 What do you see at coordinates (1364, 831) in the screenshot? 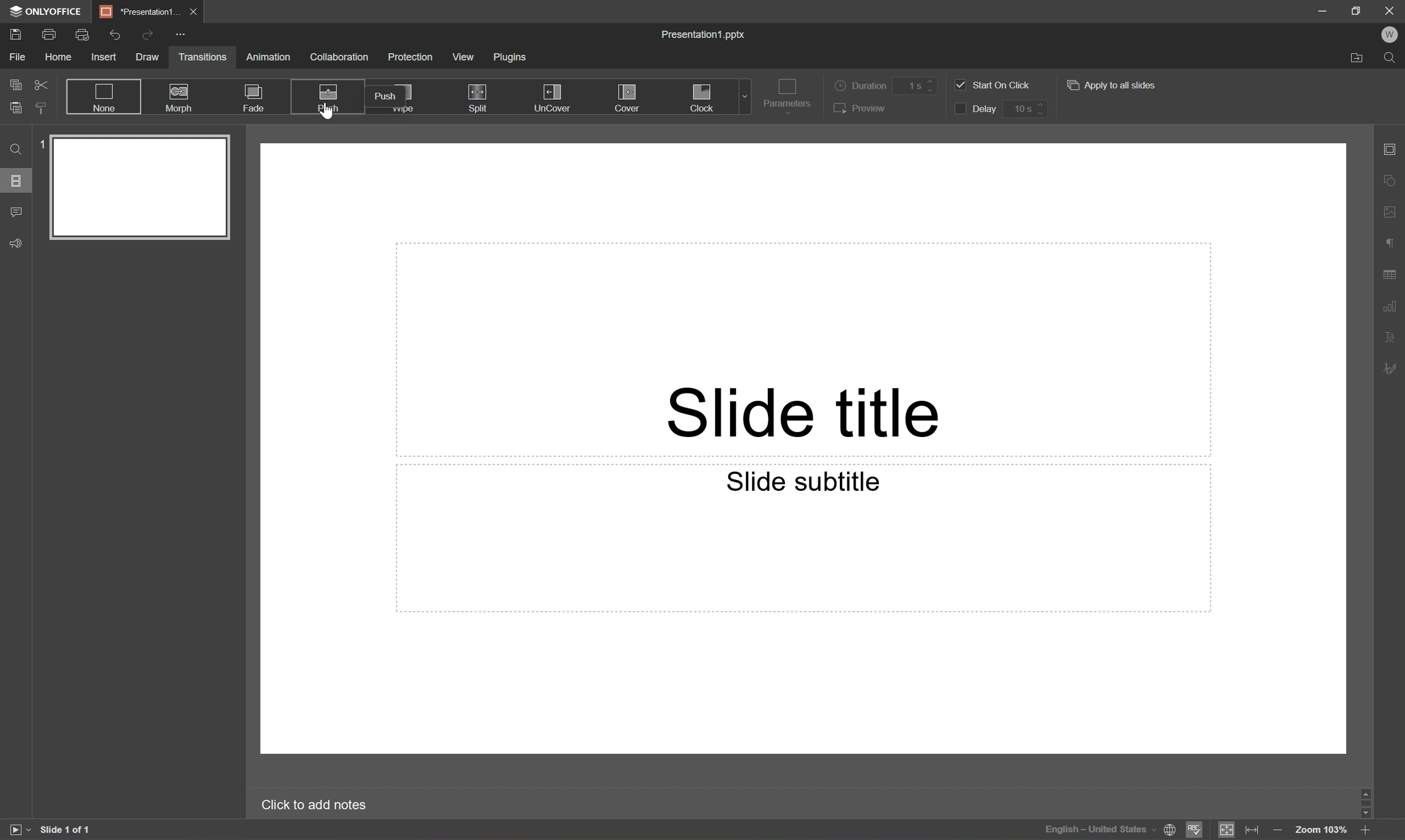
I see `Zoom in` at bounding box center [1364, 831].